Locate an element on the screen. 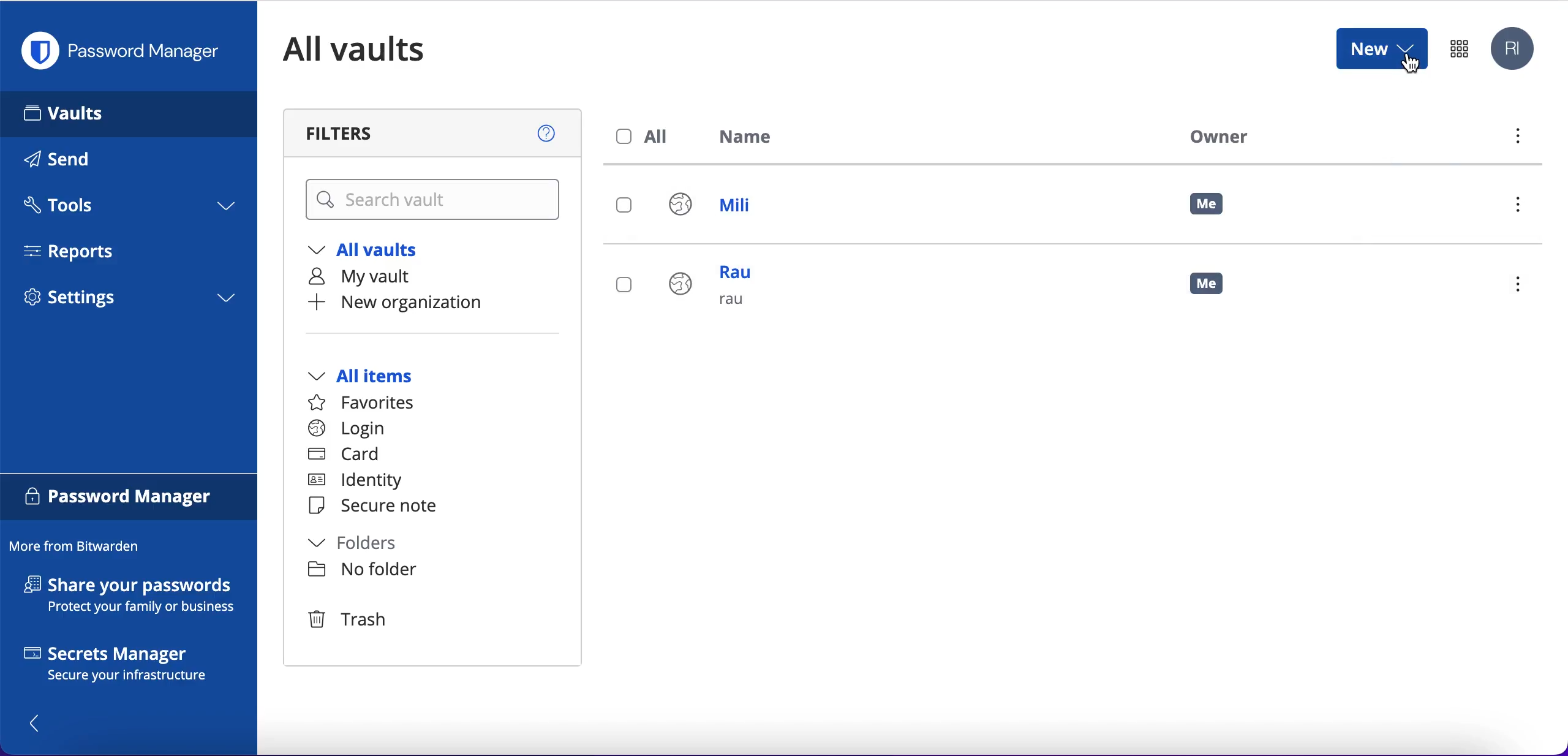 Image resolution: width=1568 pixels, height=756 pixels. settings is located at coordinates (129, 301).